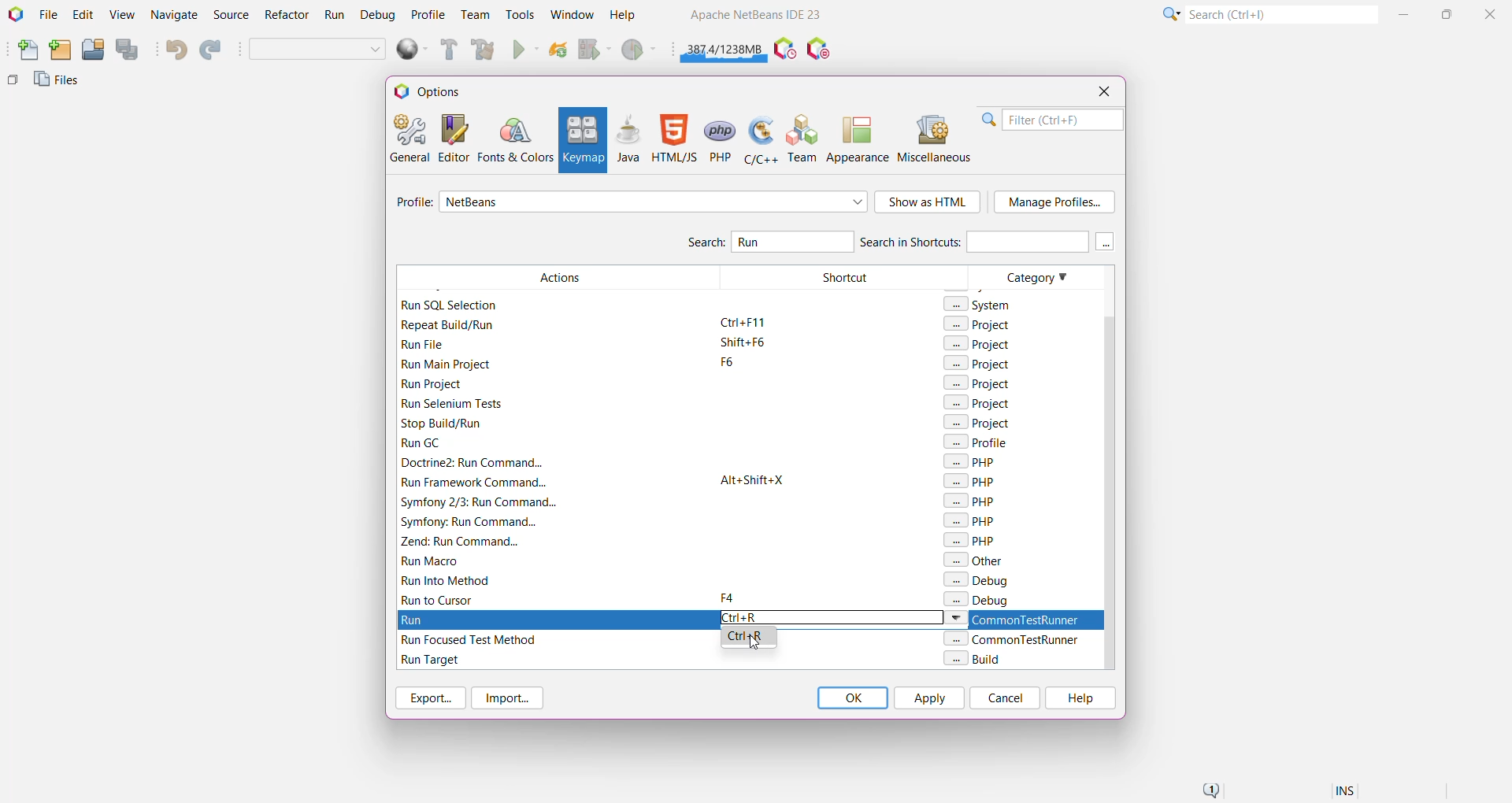 The width and height of the screenshot is (1512, 803). What do you see at coordinates (928, 203) in the screenshot?
I see `Show as HTML` at bounding box center [928, 203].